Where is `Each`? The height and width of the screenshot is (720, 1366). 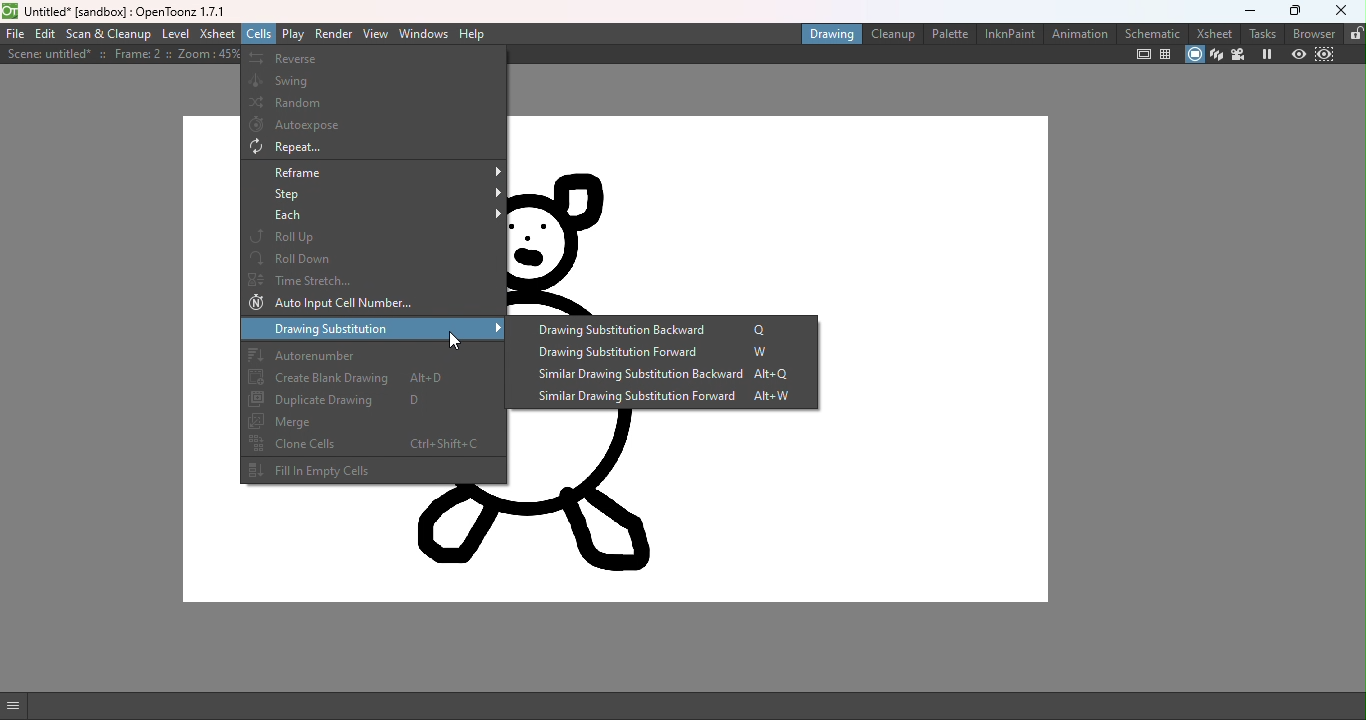 Each is located at coordinates (375, 217).